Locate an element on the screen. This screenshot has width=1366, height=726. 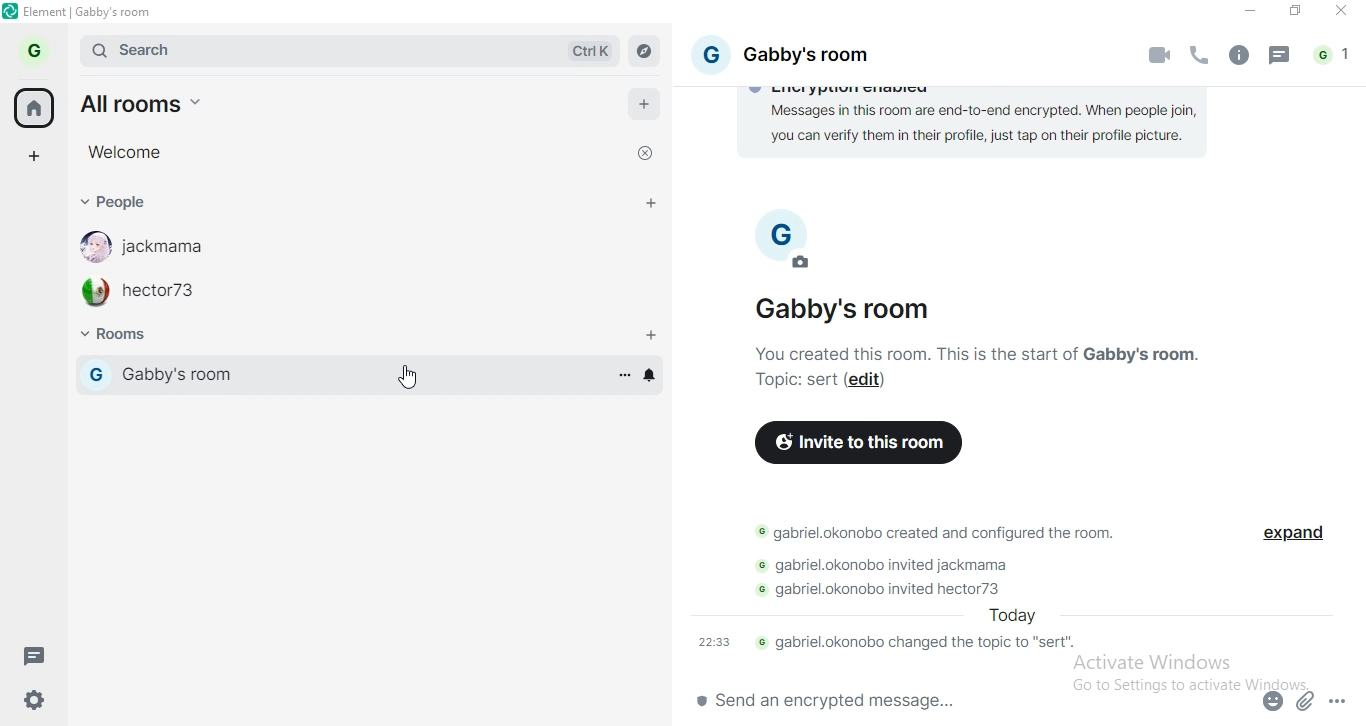
voice call is located at coordinates (1201, 58).